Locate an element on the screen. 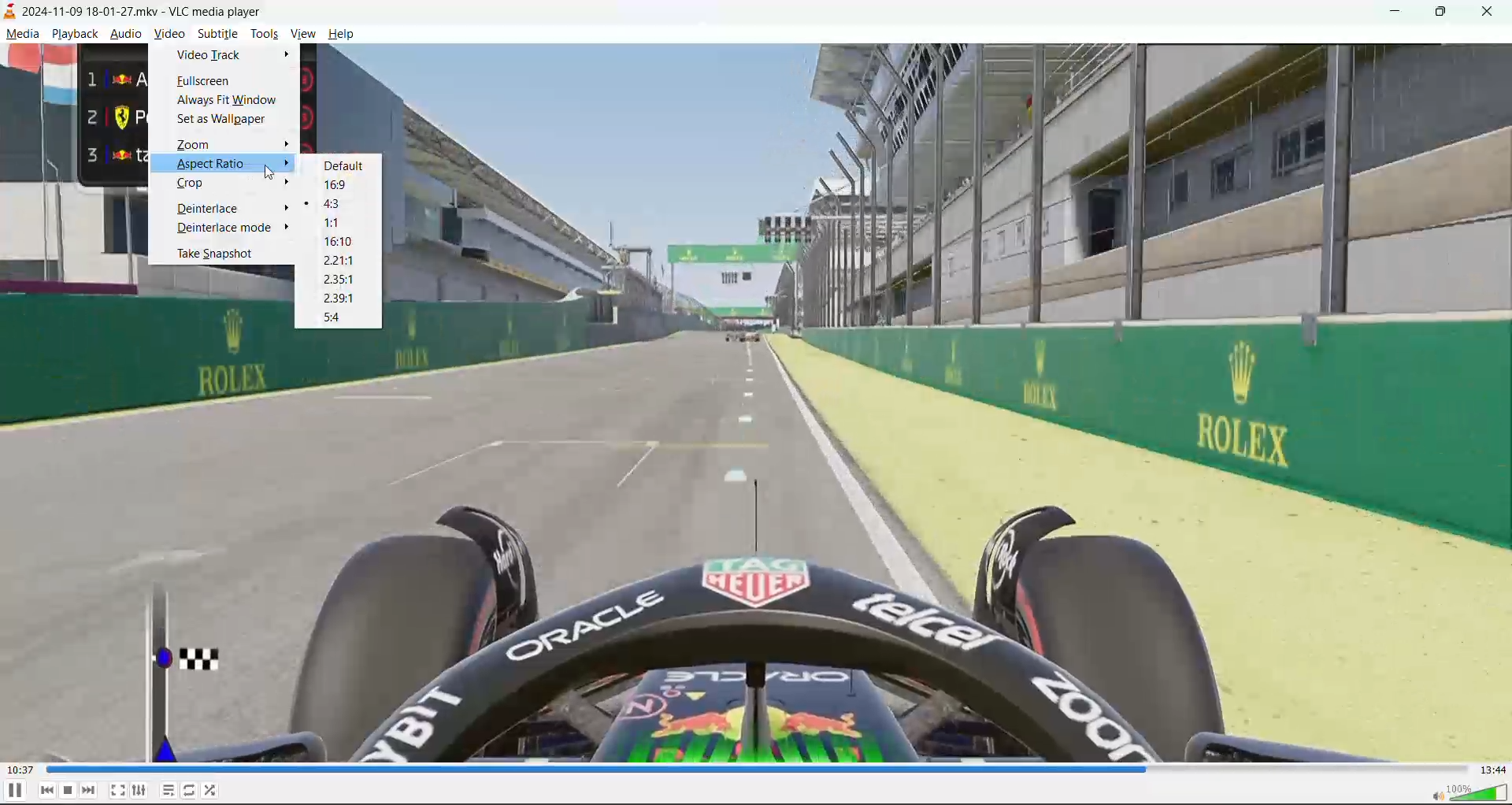  playback is located at coordinates (73, 35).